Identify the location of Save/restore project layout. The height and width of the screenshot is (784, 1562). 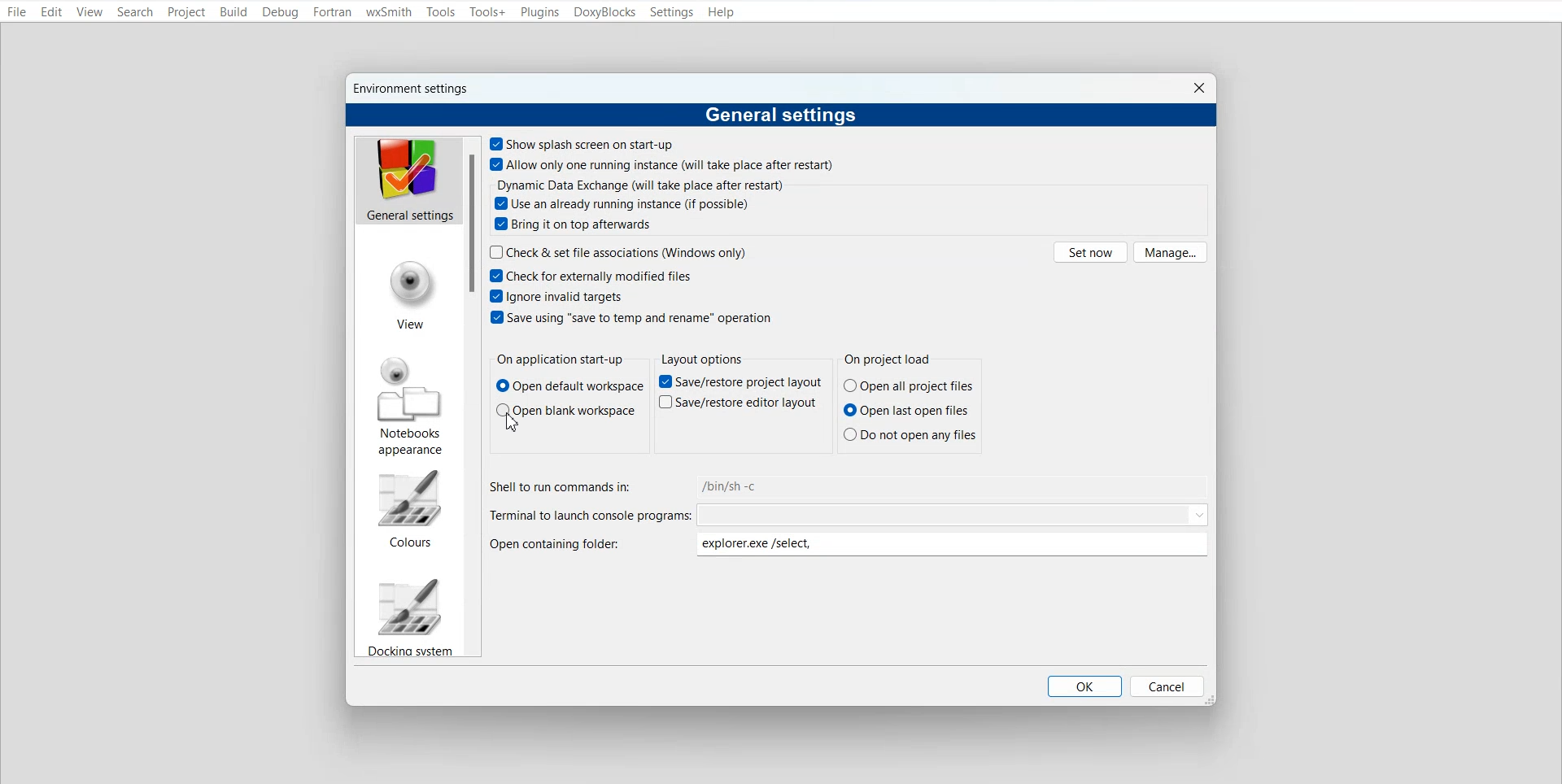
(740, 381).